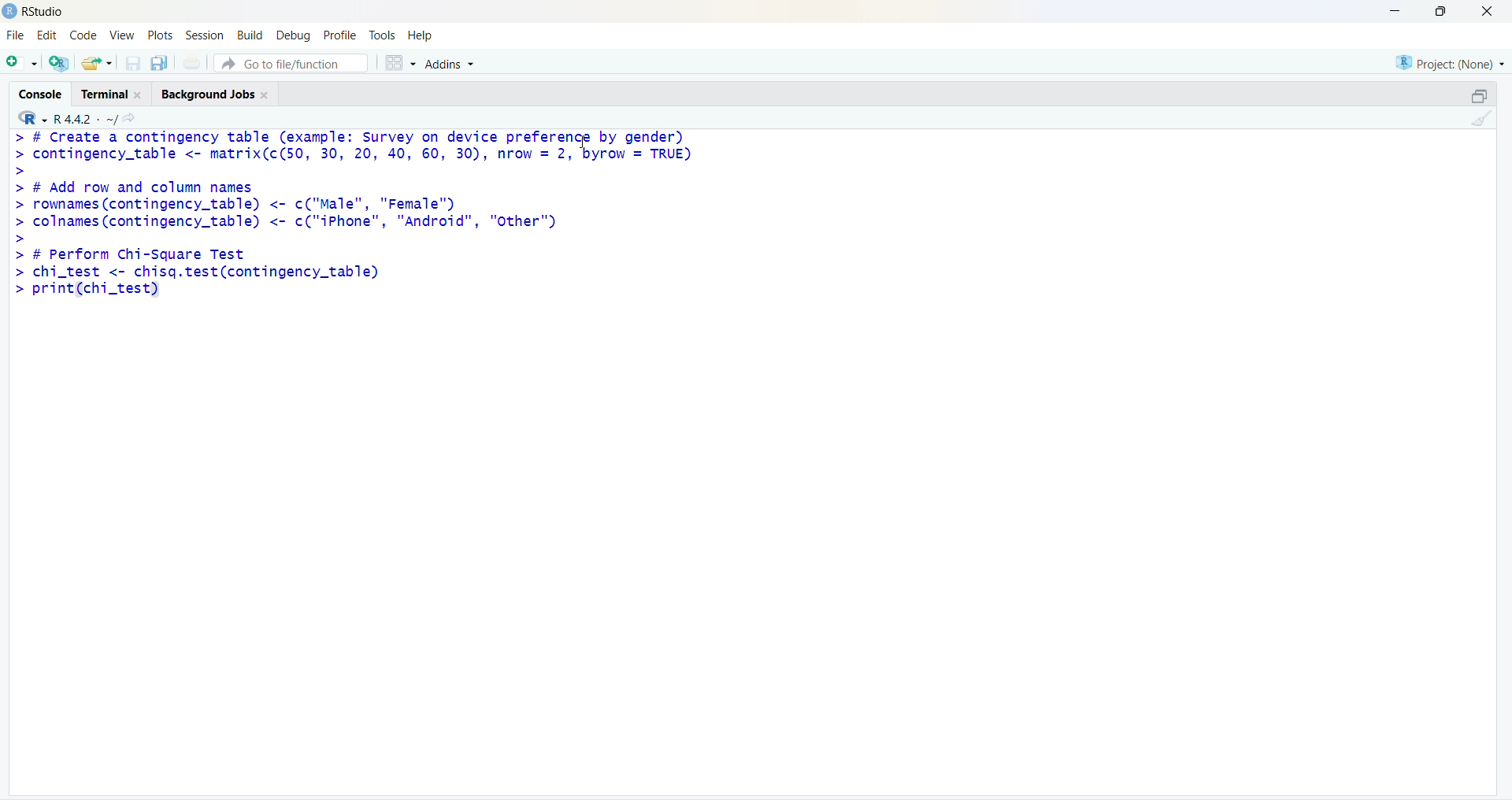 This screenshot has width=1512, height=800. I want to click on add R file, so click(60, 63).